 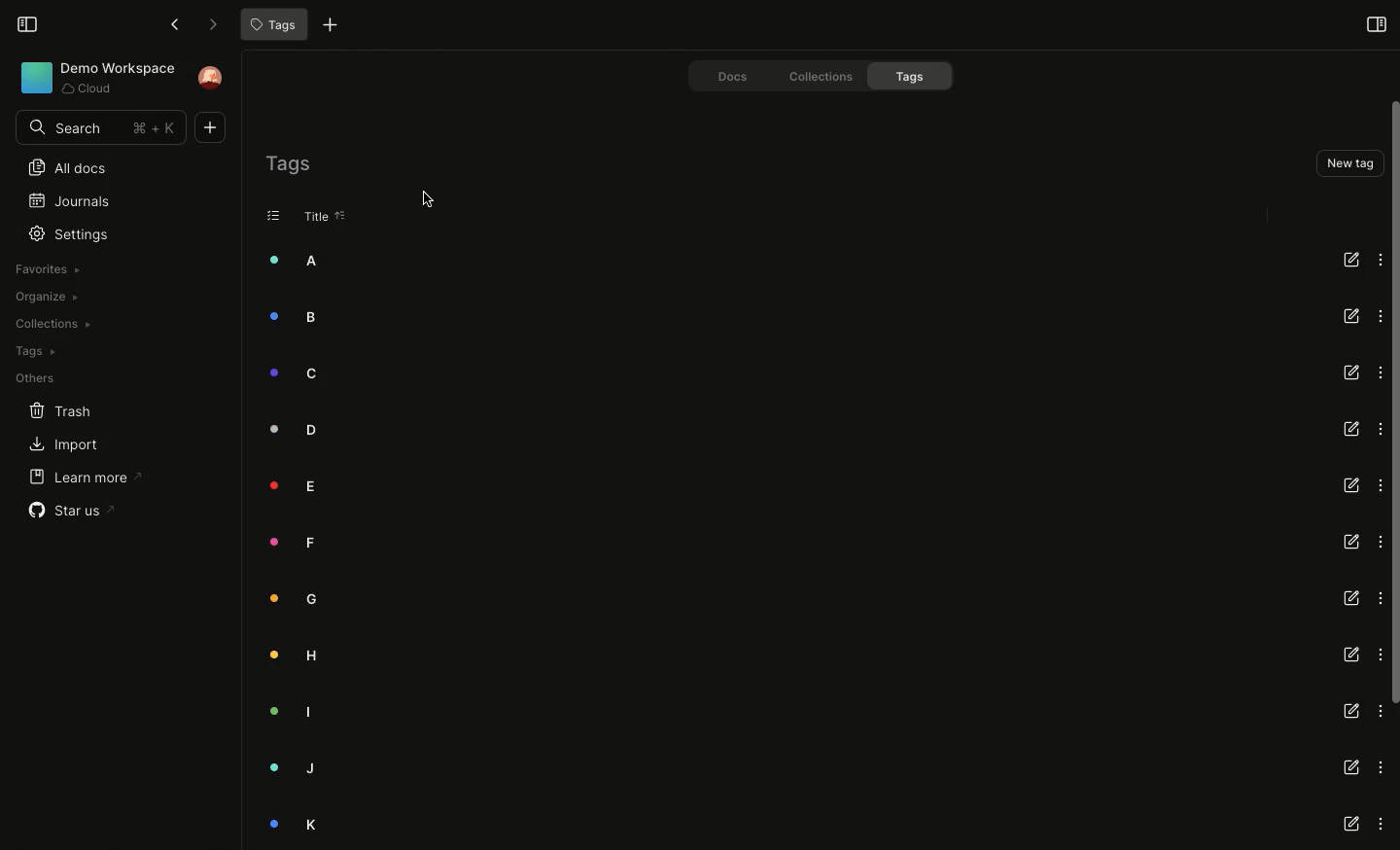 I want to click on I, so click(x=295, y=709).